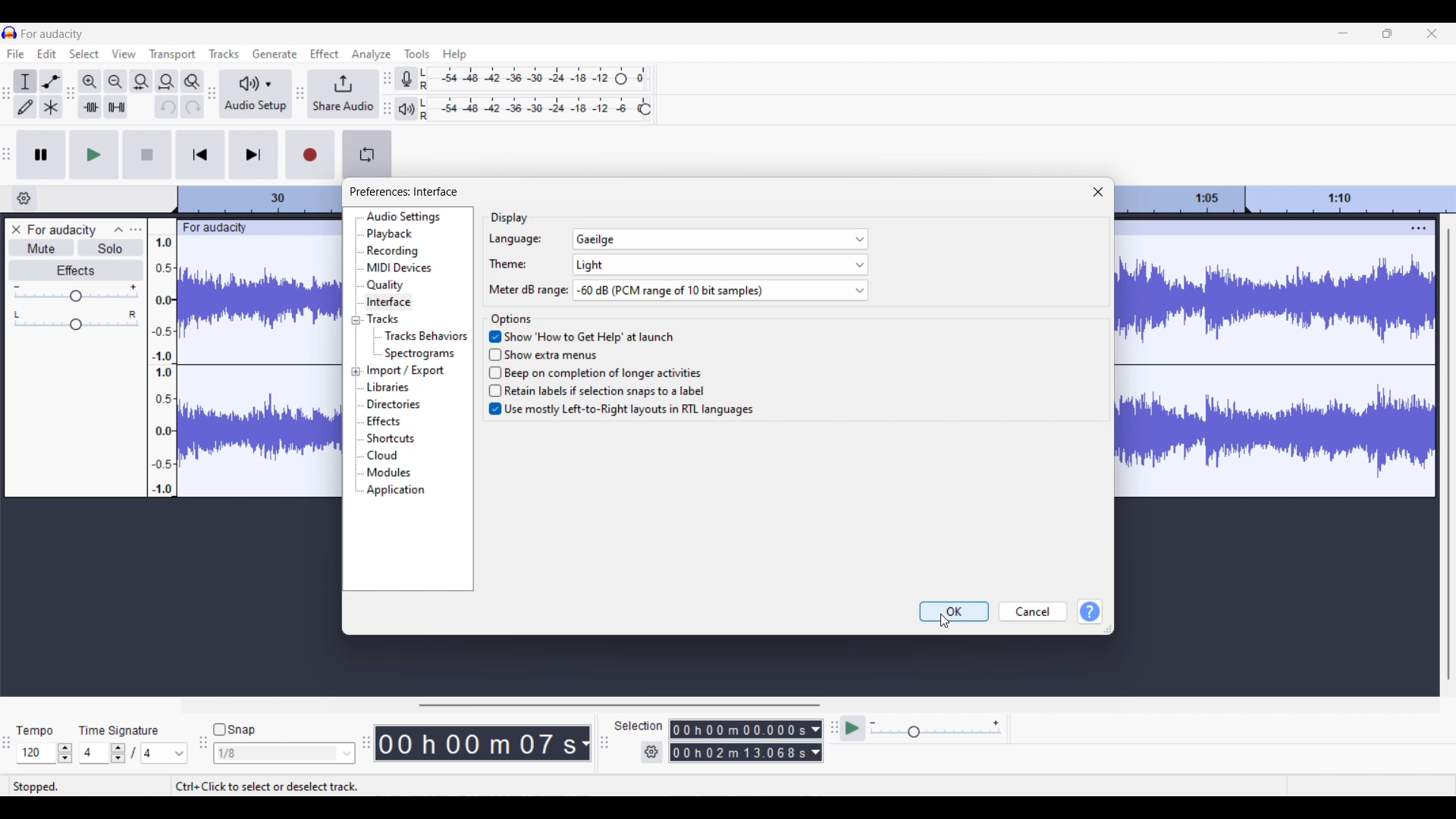 The image size is (1456, 819). Describe the element at coordinates (719, 265) in the screenshot. I see `light` at that location.